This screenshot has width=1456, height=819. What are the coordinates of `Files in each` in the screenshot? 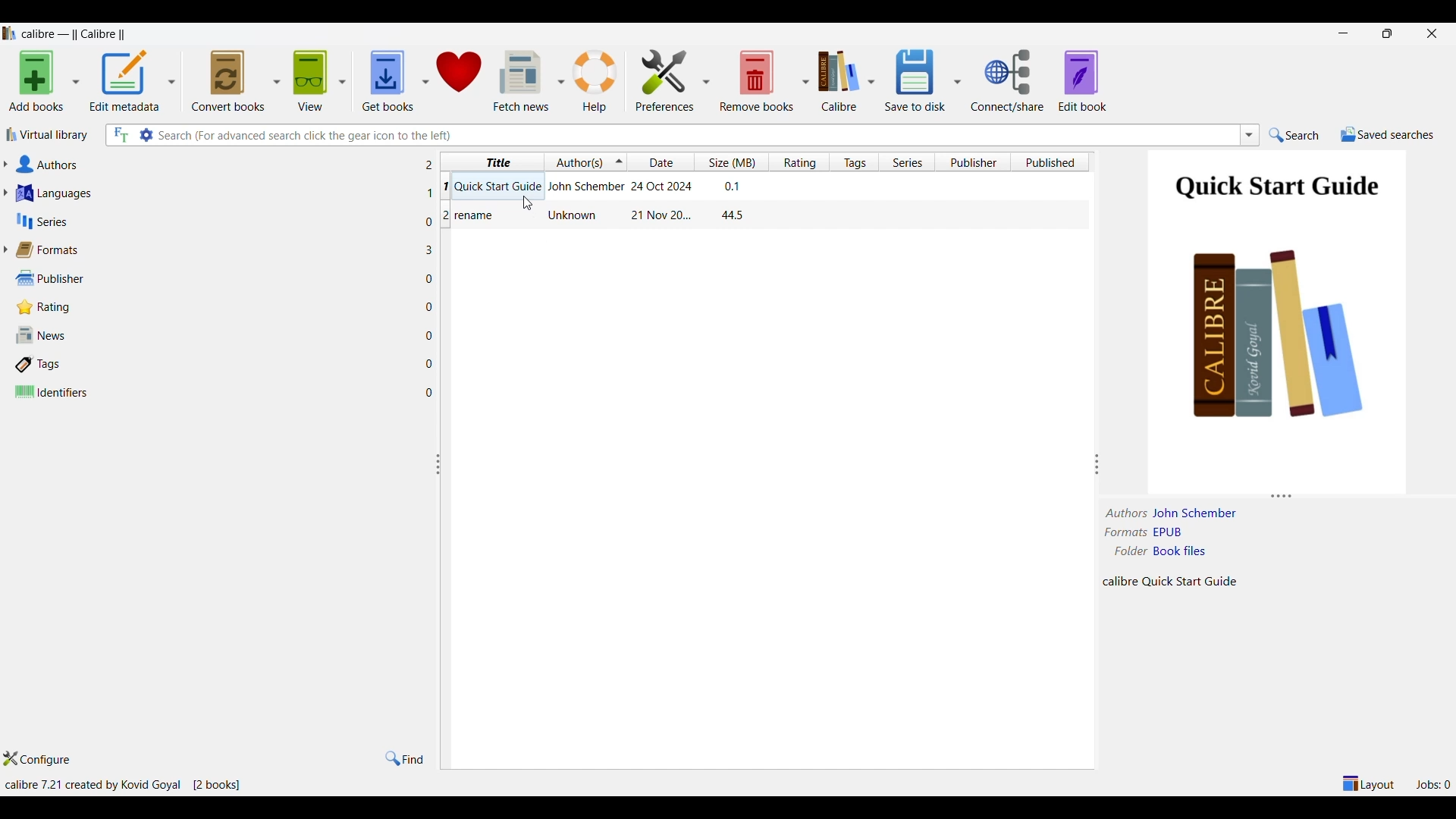 It's located at (431, 277).